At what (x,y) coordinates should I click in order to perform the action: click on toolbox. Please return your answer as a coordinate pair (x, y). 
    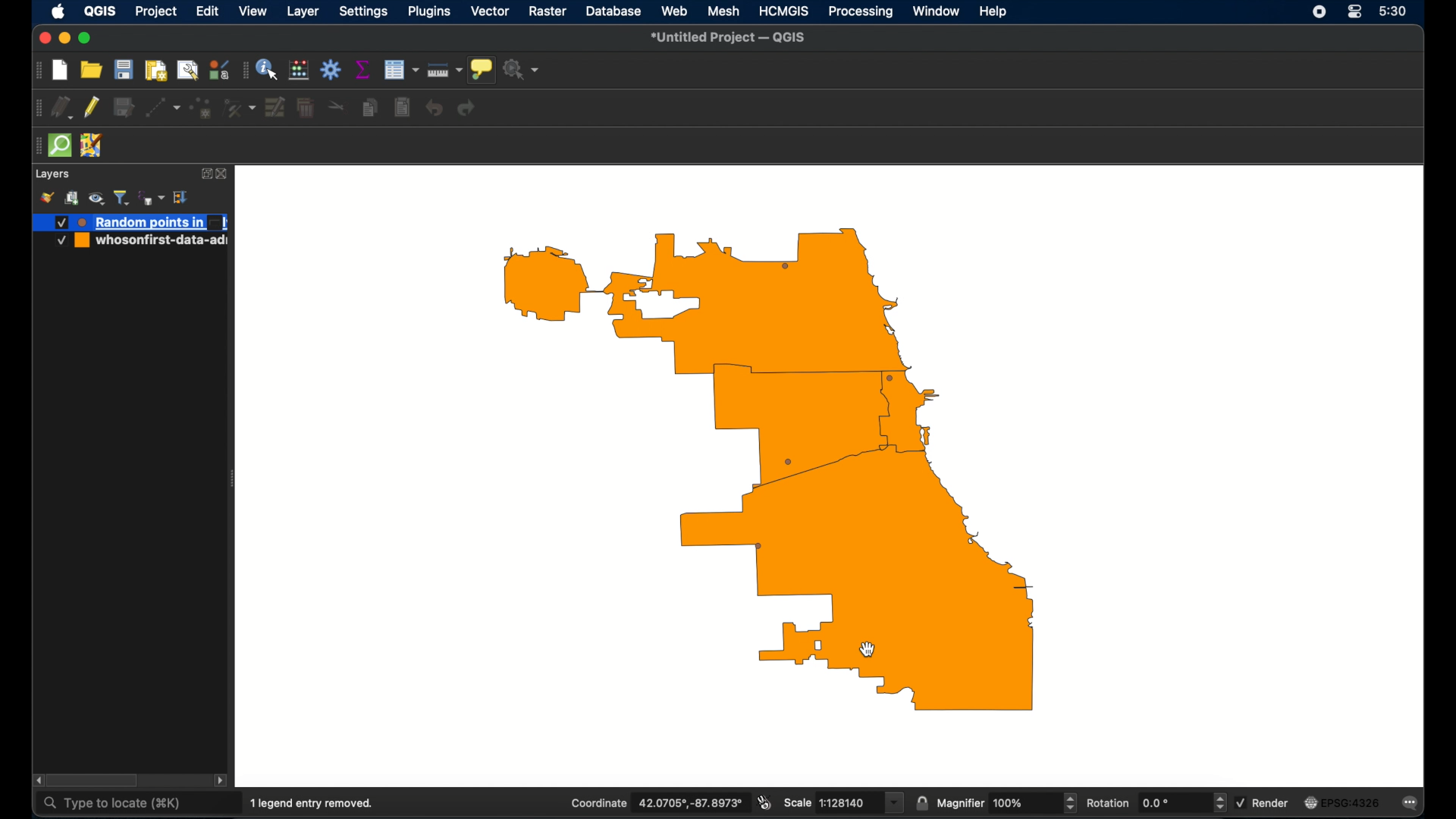
    Looking at the image, I should click on (331, 70).